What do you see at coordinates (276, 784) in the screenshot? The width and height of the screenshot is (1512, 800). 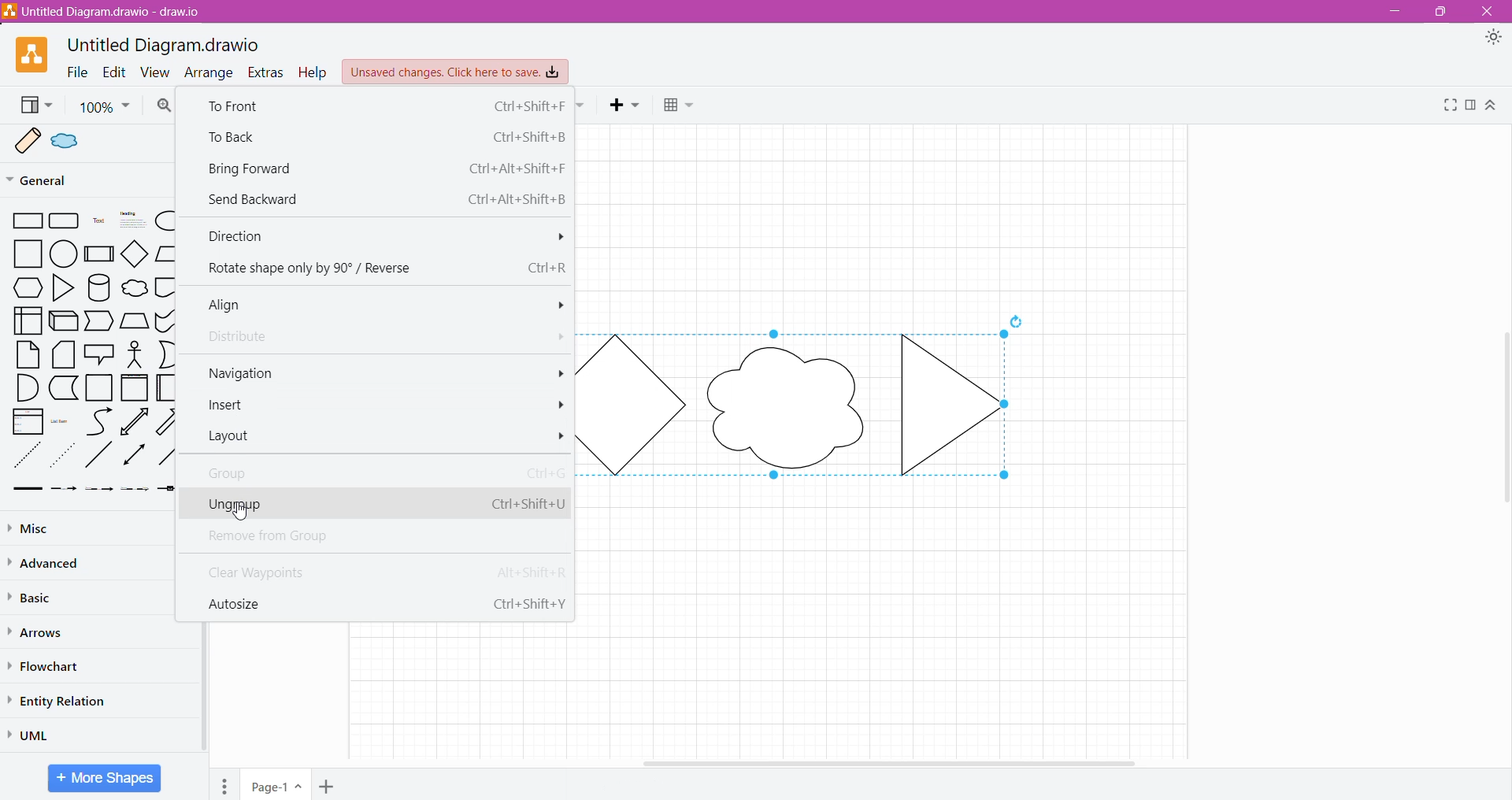 I see `Page-1` at bounding box center [276, 784].